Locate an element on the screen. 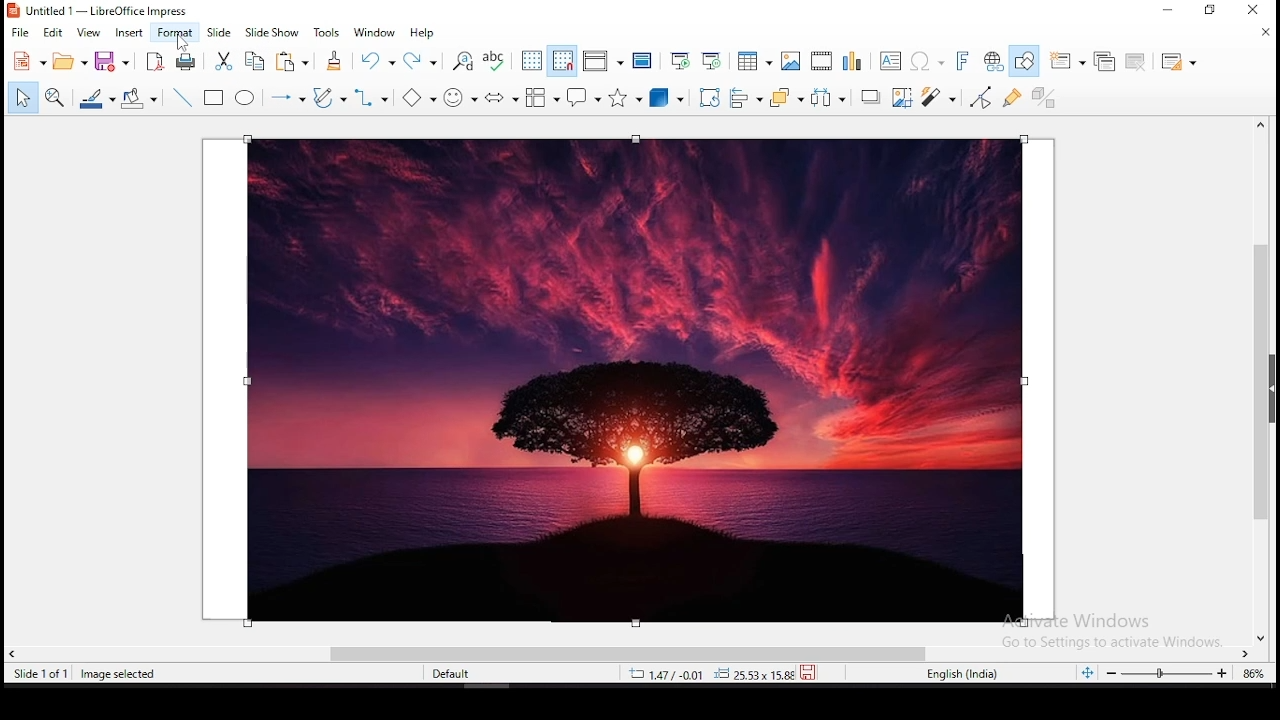 The image size is (1280, 720). scroll bar is located at coordinates (1267, 380).